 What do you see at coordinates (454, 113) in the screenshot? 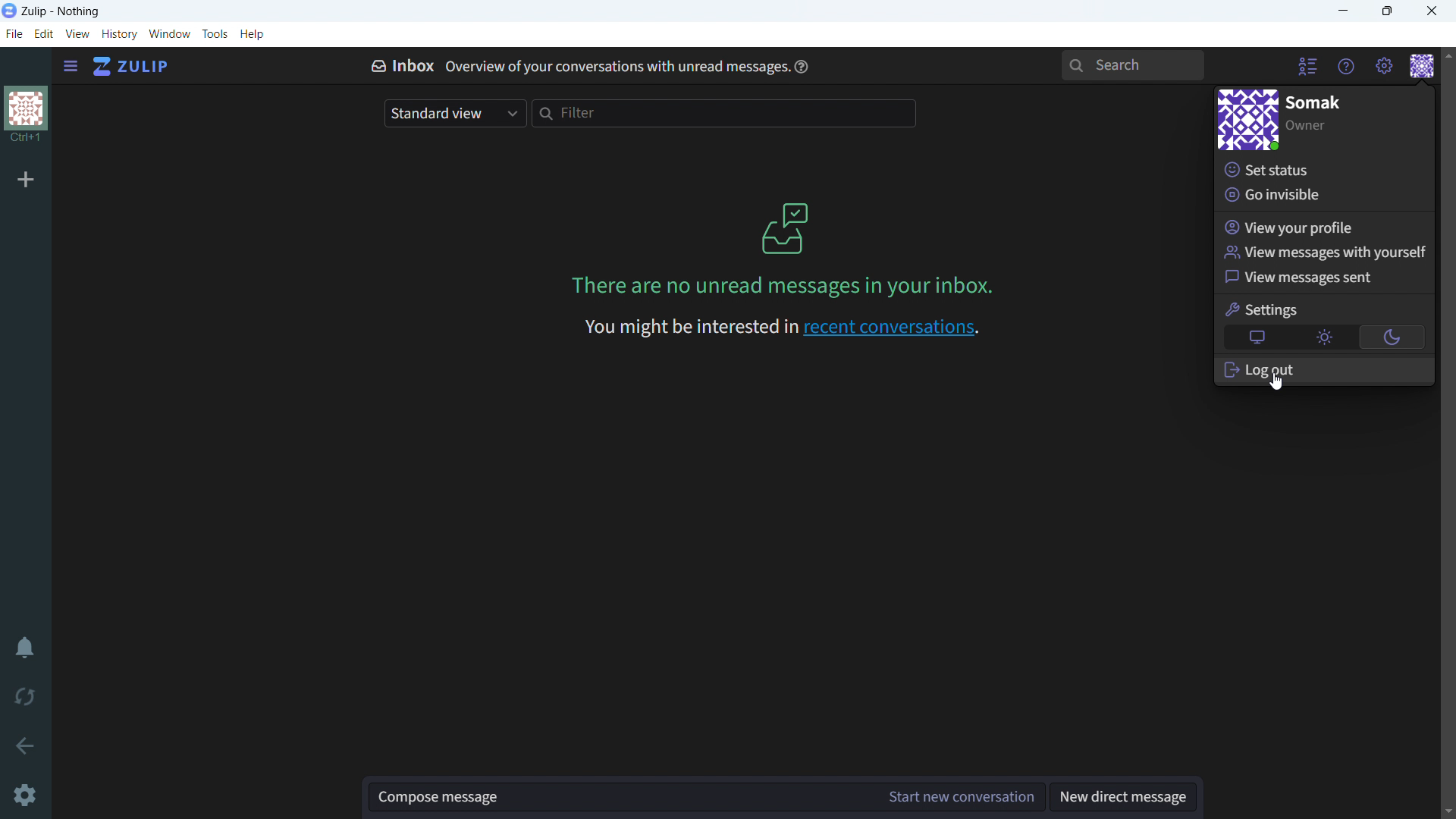
I see `select view` at bounding box center [454, 113].